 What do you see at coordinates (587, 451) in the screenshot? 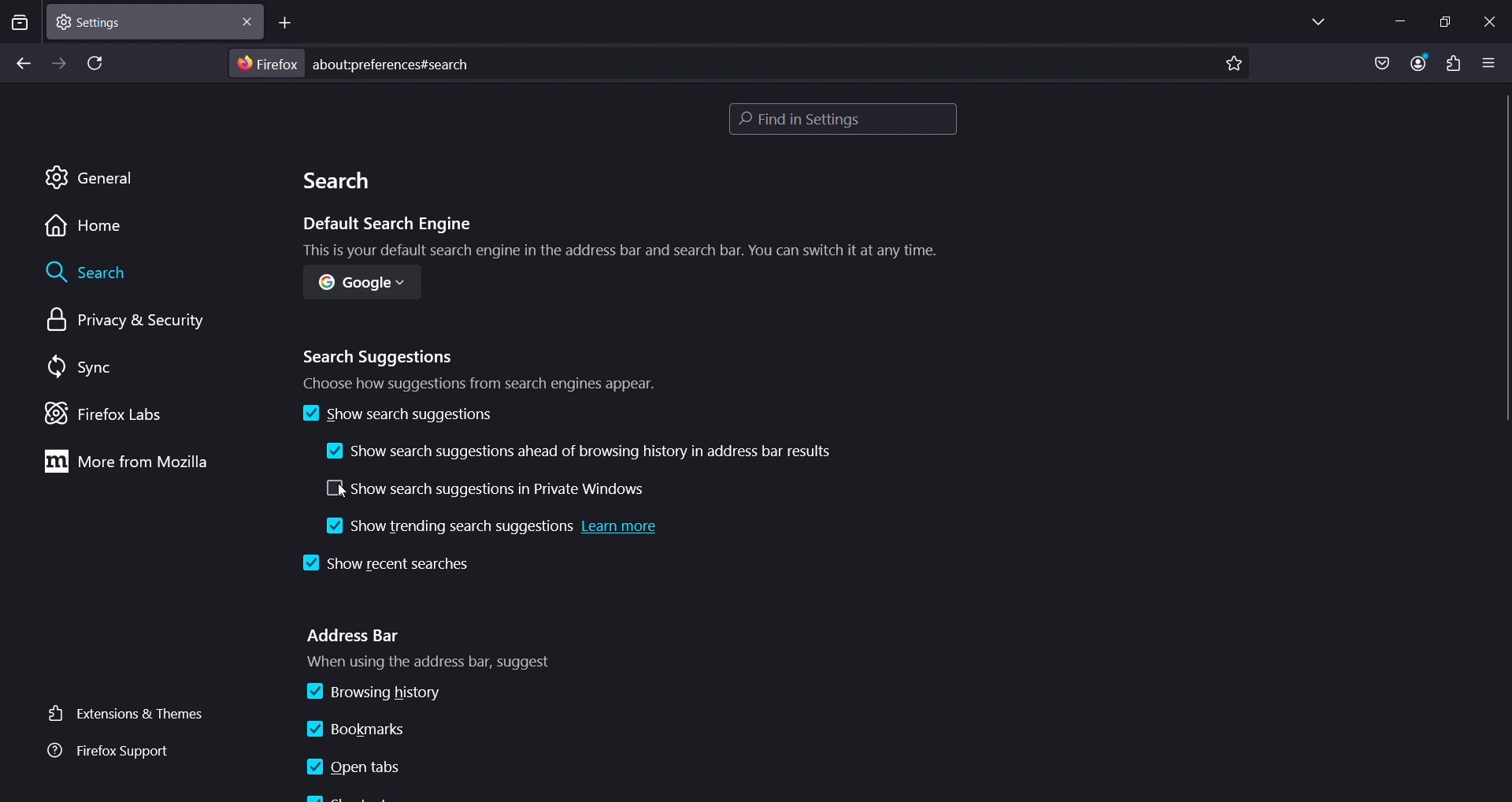
I see `show search suggestions ahead of browsing history in address bar results` at bounding box center [587, 451].